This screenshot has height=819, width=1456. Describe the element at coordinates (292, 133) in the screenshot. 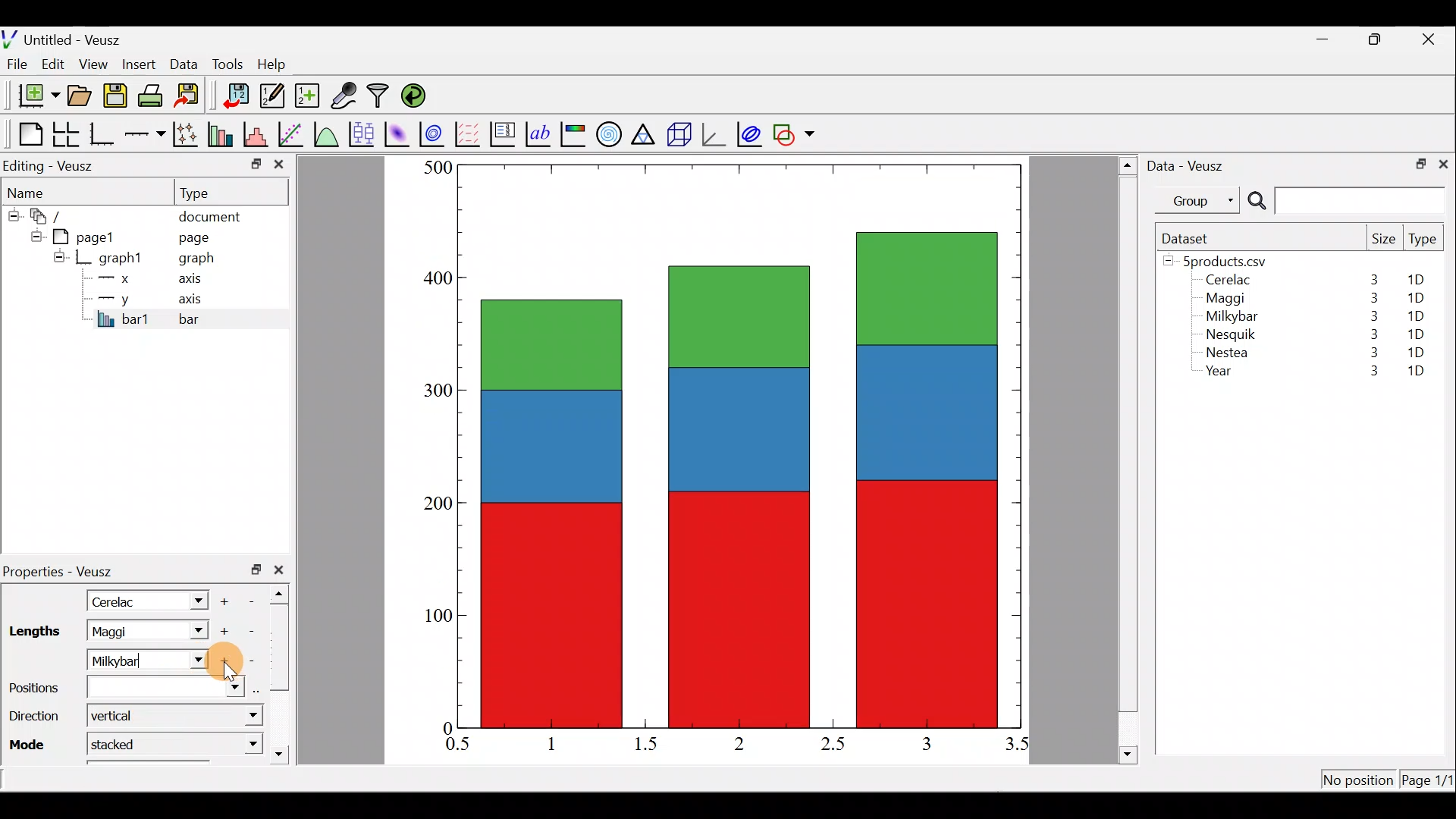

I see `Fit a function to data` at that location.